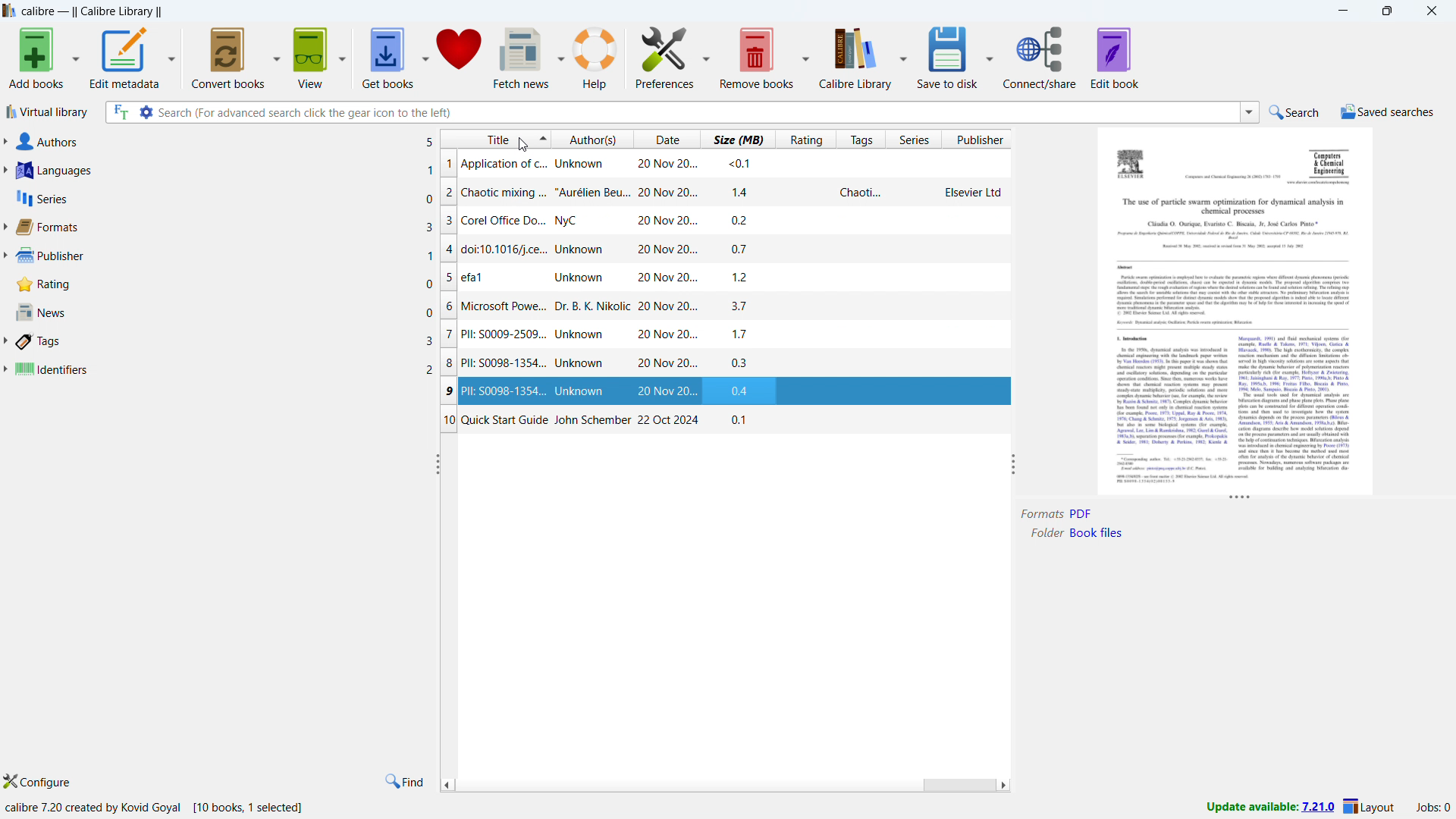 Image resolution: width=1456 pixels, height=819 pixels. What do you see at coordinates (1178, 480) in the screenshot?
I see `` at bounding box center [1178, 480].